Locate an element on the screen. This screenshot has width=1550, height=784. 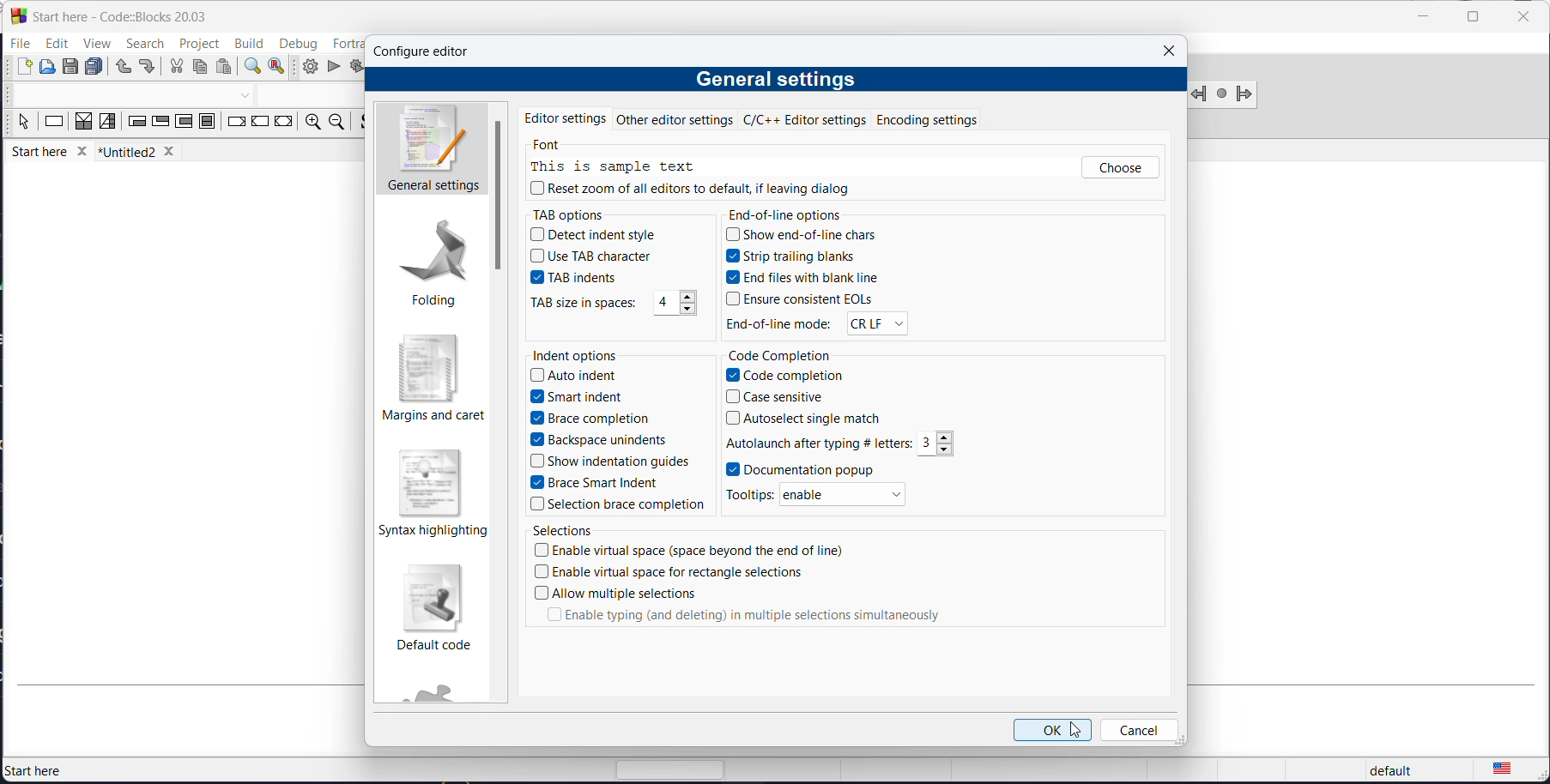
code completion is located at coordinates (783, 355).